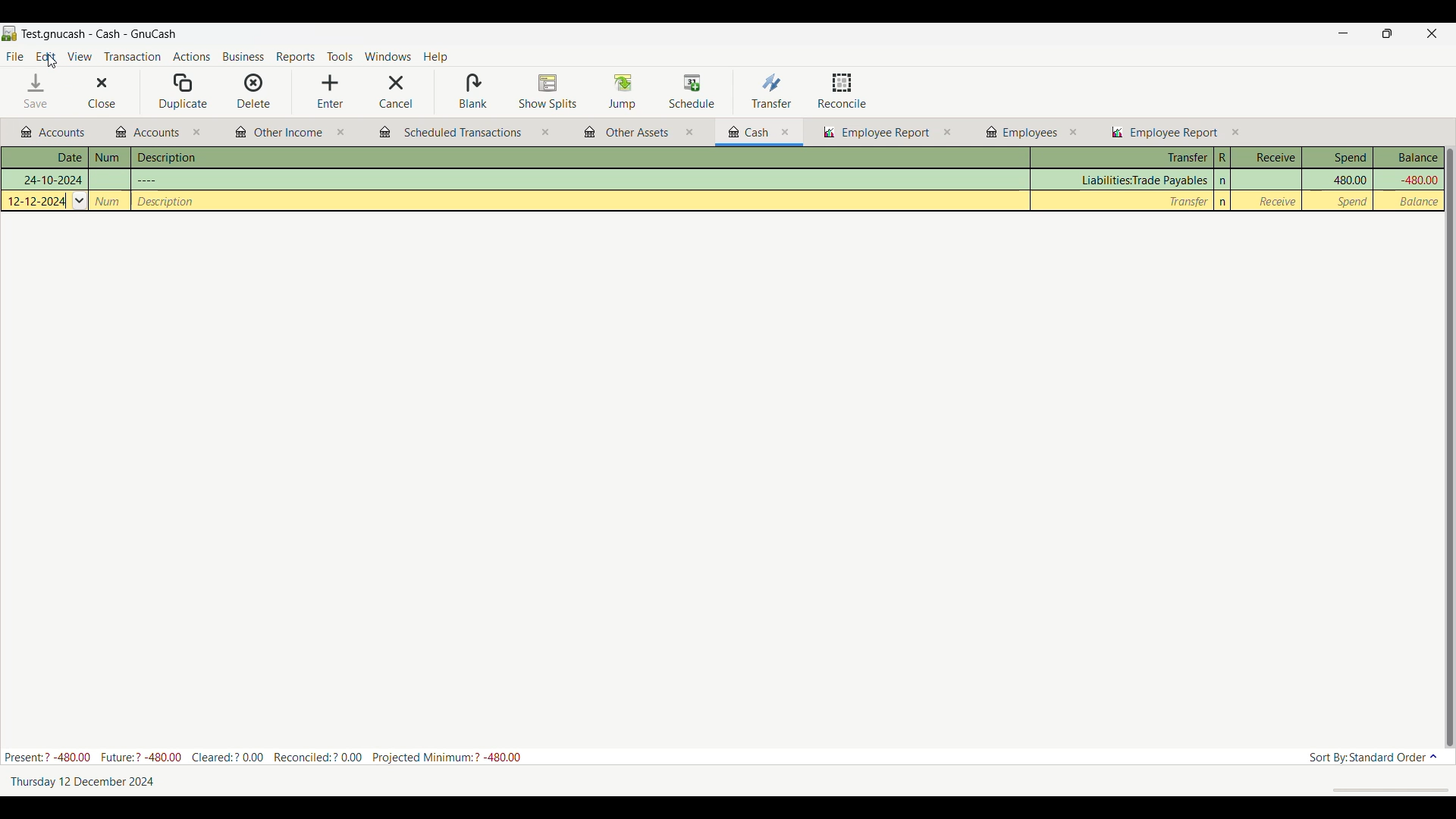 The width and height of the screenshot is (1456, 819). I want to click on Minimize, so click(1343, 33).